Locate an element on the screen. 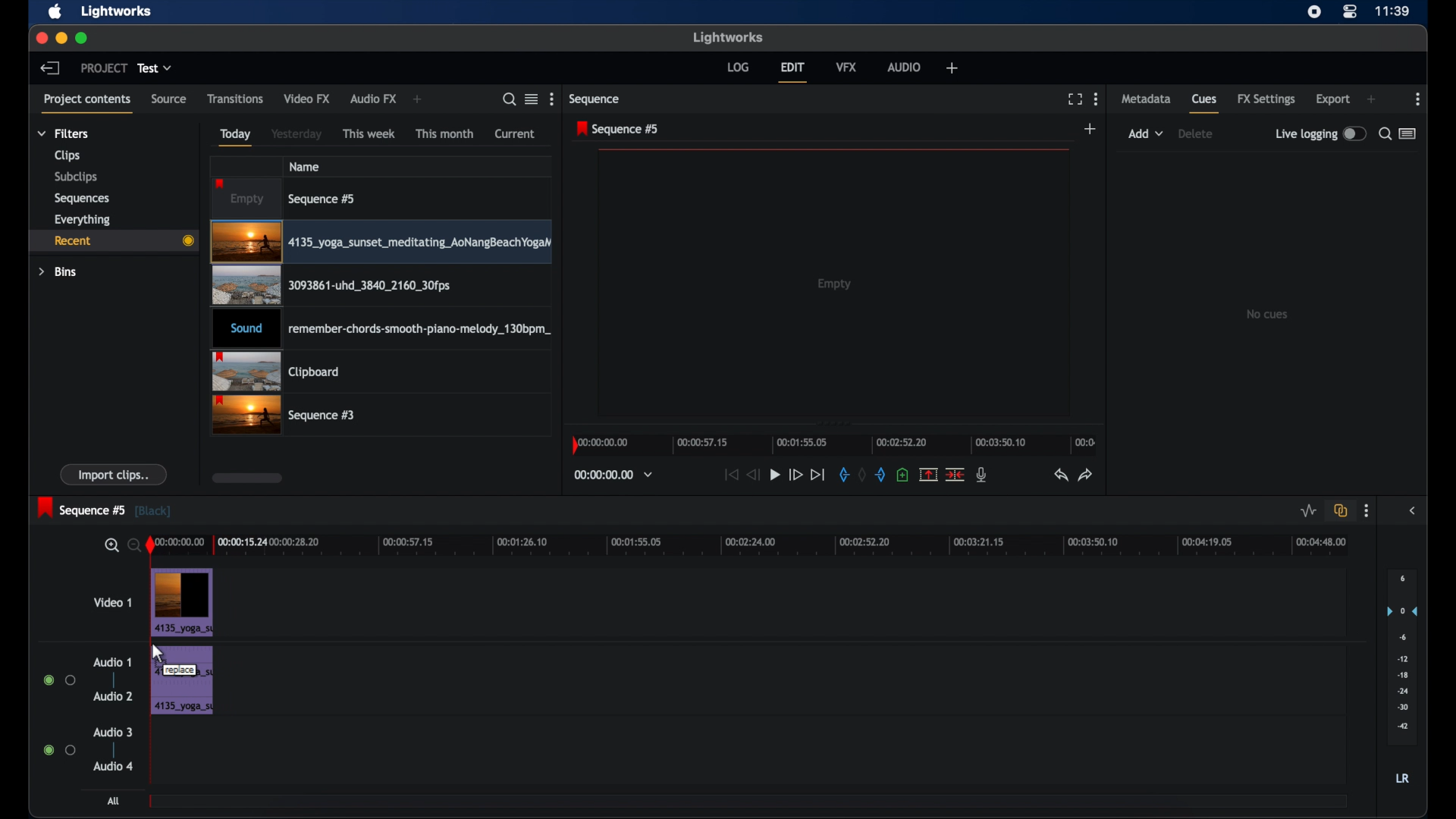 This screenshot has width=1456, height=819. moreoptions is located at coordinates (1418, 99).